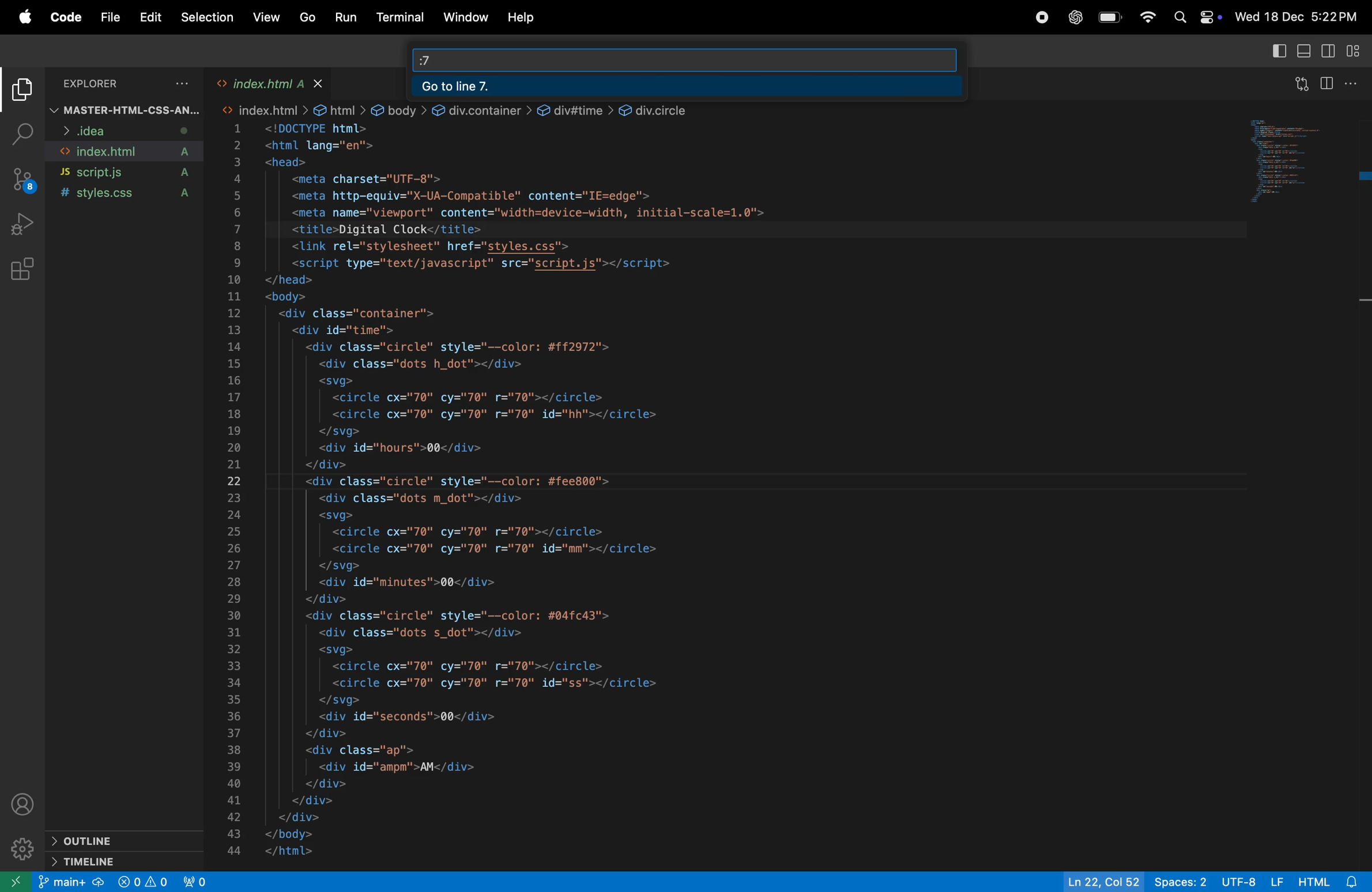  Describe the element at coordinates (1299, 18) in the screenshot. I see `date and time` at that location.